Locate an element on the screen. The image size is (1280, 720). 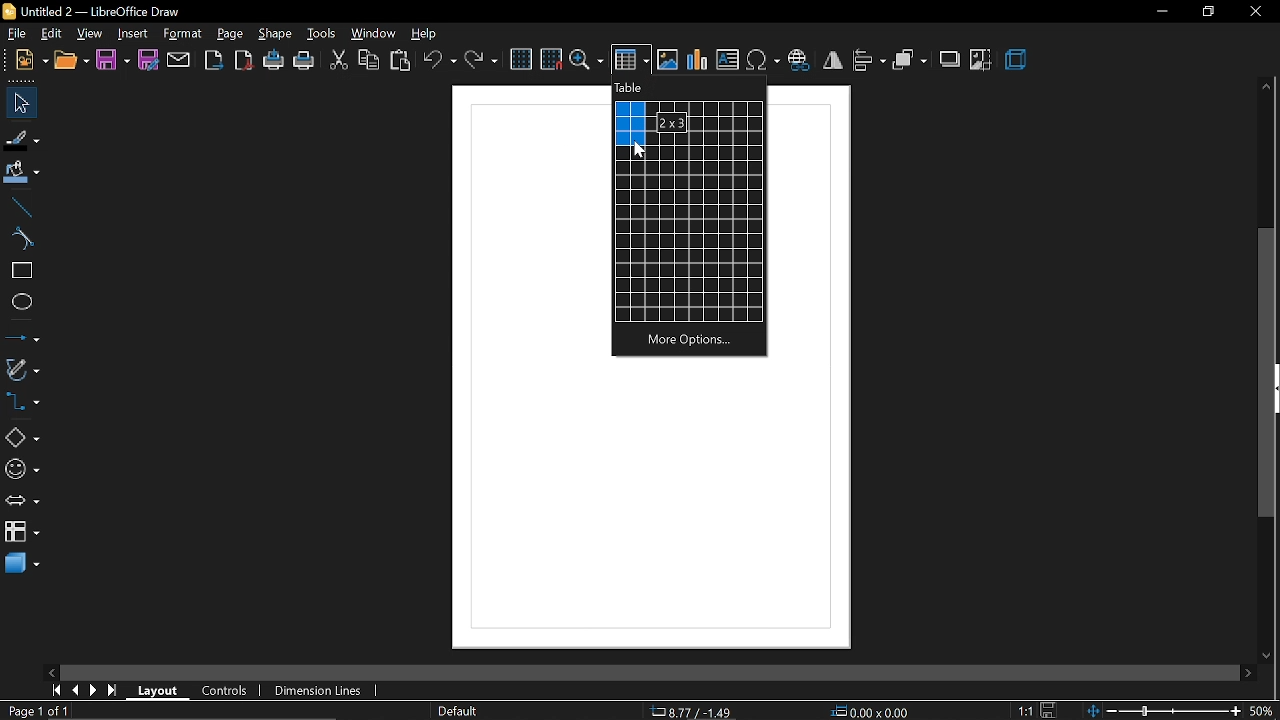
zoom change is located at coordinates (1162, 712).